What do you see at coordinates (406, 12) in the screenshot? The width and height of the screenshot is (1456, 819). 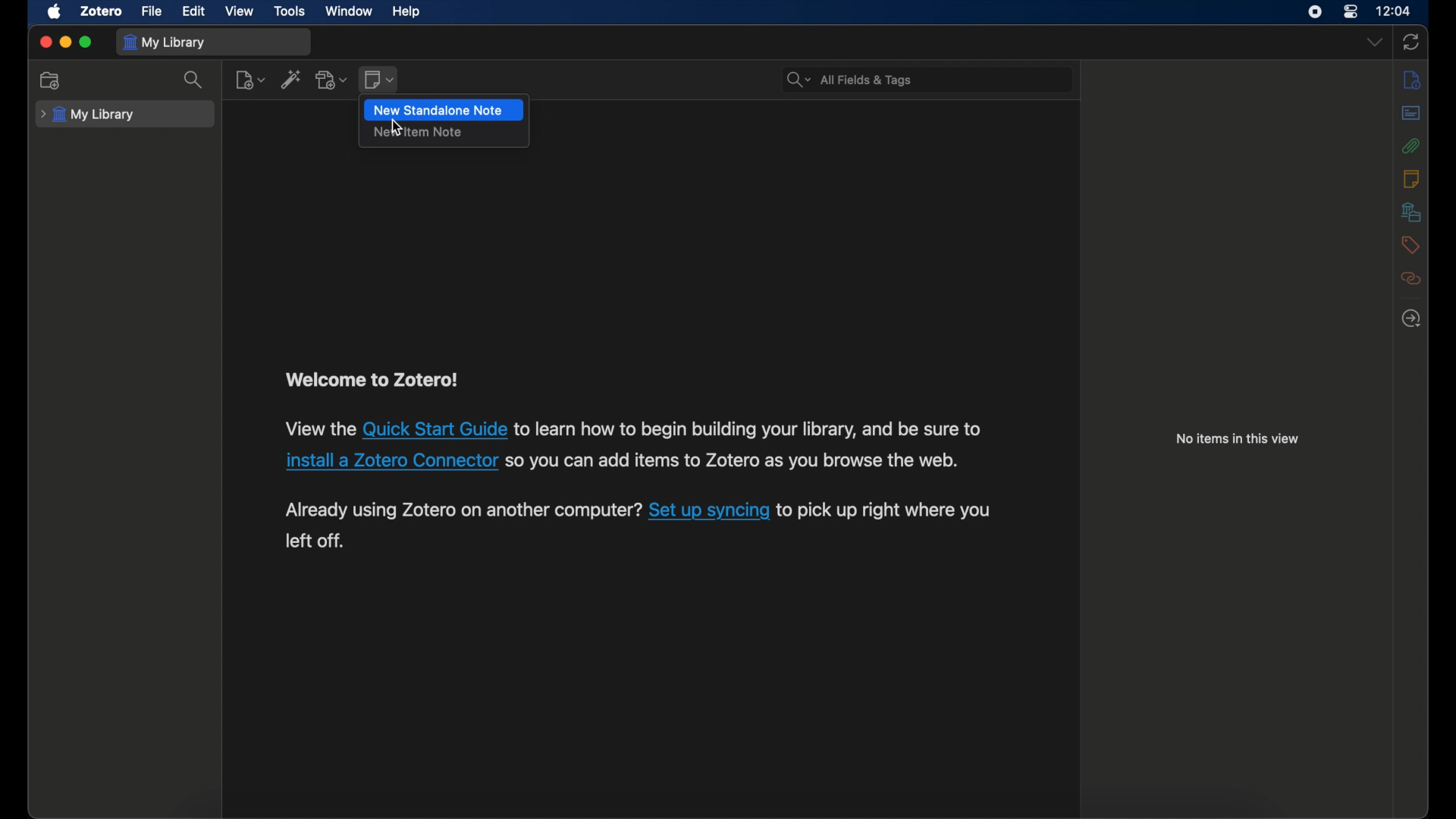 I see `help` at bounding box center [406, 12].